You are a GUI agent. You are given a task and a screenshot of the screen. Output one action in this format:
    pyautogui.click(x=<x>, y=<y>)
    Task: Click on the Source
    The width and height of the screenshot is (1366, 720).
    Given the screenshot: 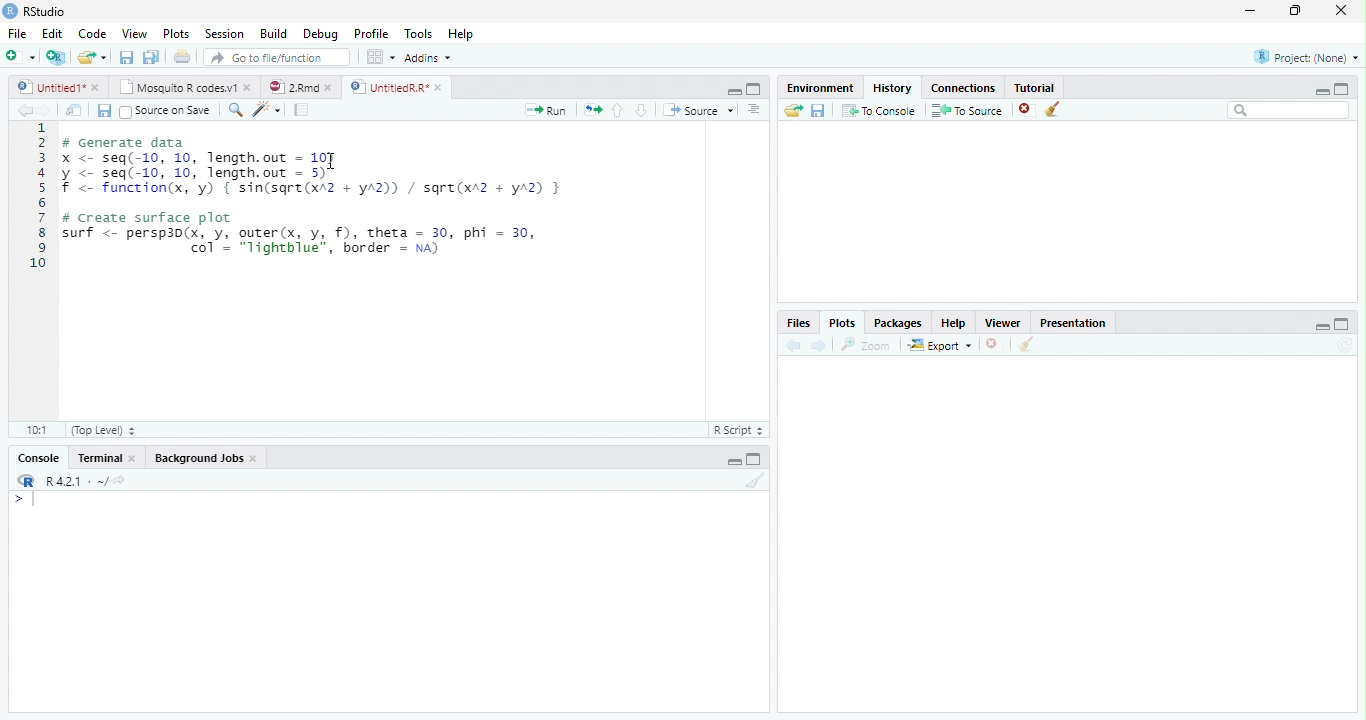 What is the action you would take?
    pyautogui.click(x=697, y=109)
    